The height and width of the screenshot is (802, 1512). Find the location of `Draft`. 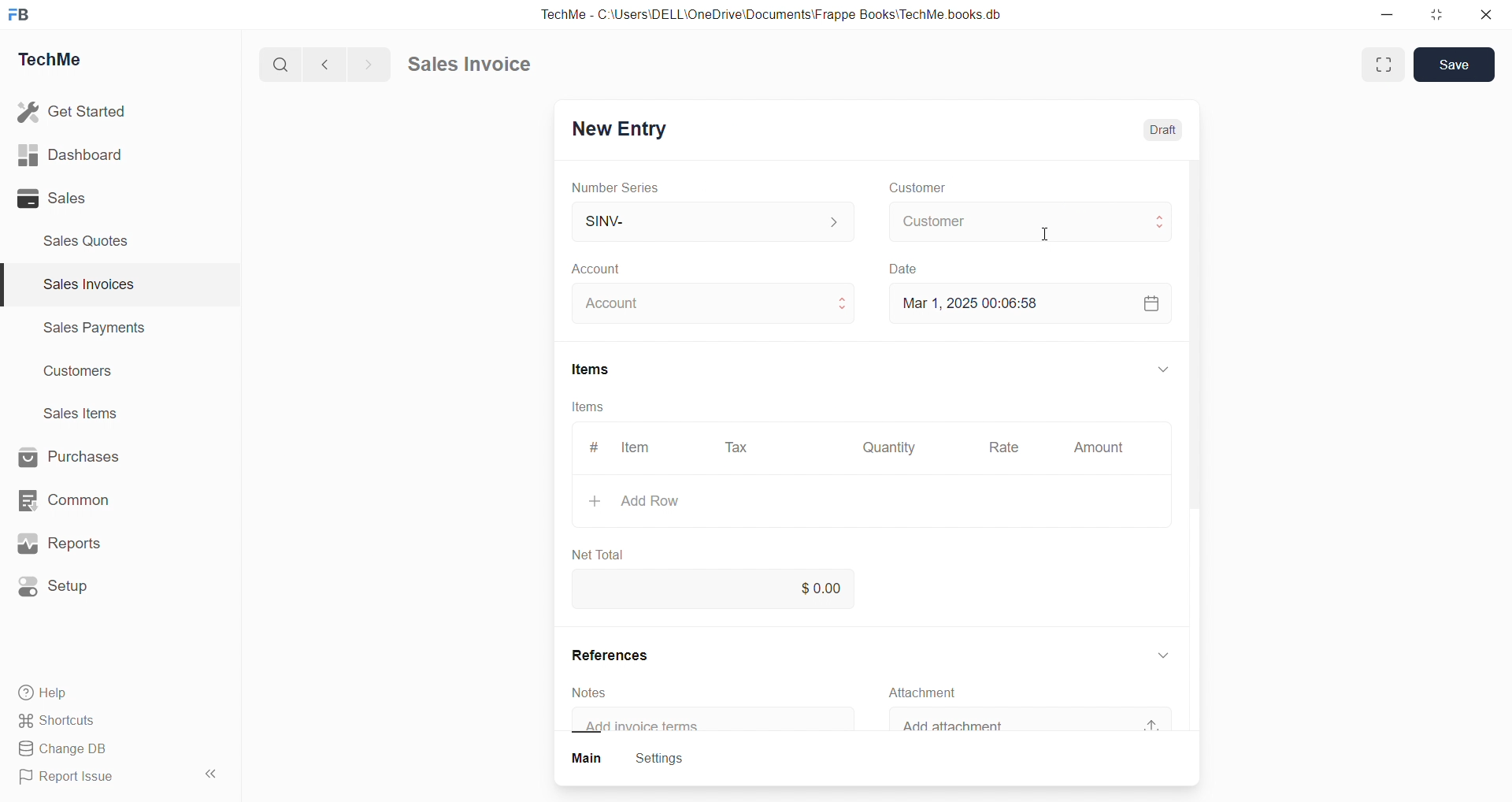

Draft is located at coordinates (1169, 132).